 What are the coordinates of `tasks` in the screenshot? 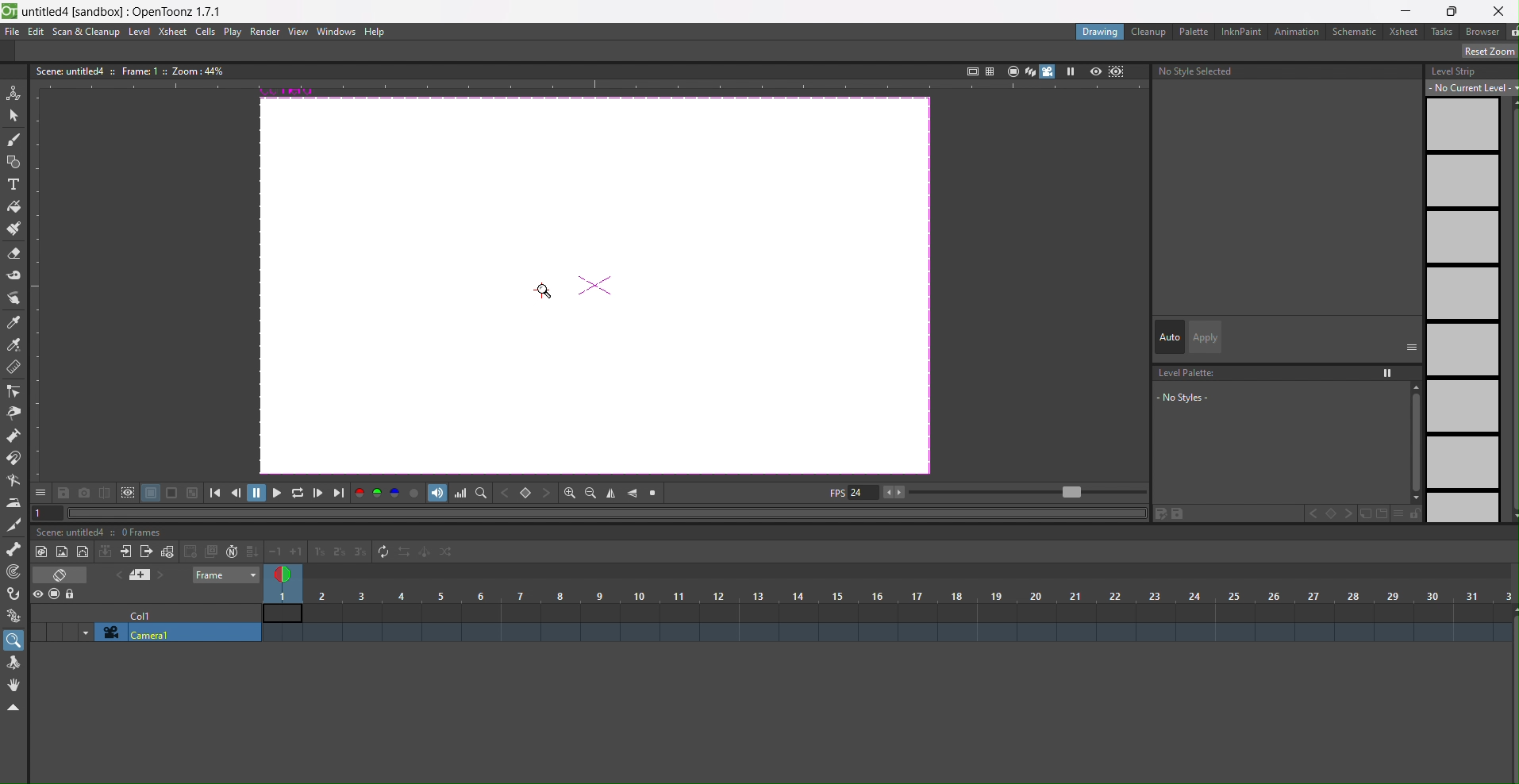 It's located at (1444, 33).